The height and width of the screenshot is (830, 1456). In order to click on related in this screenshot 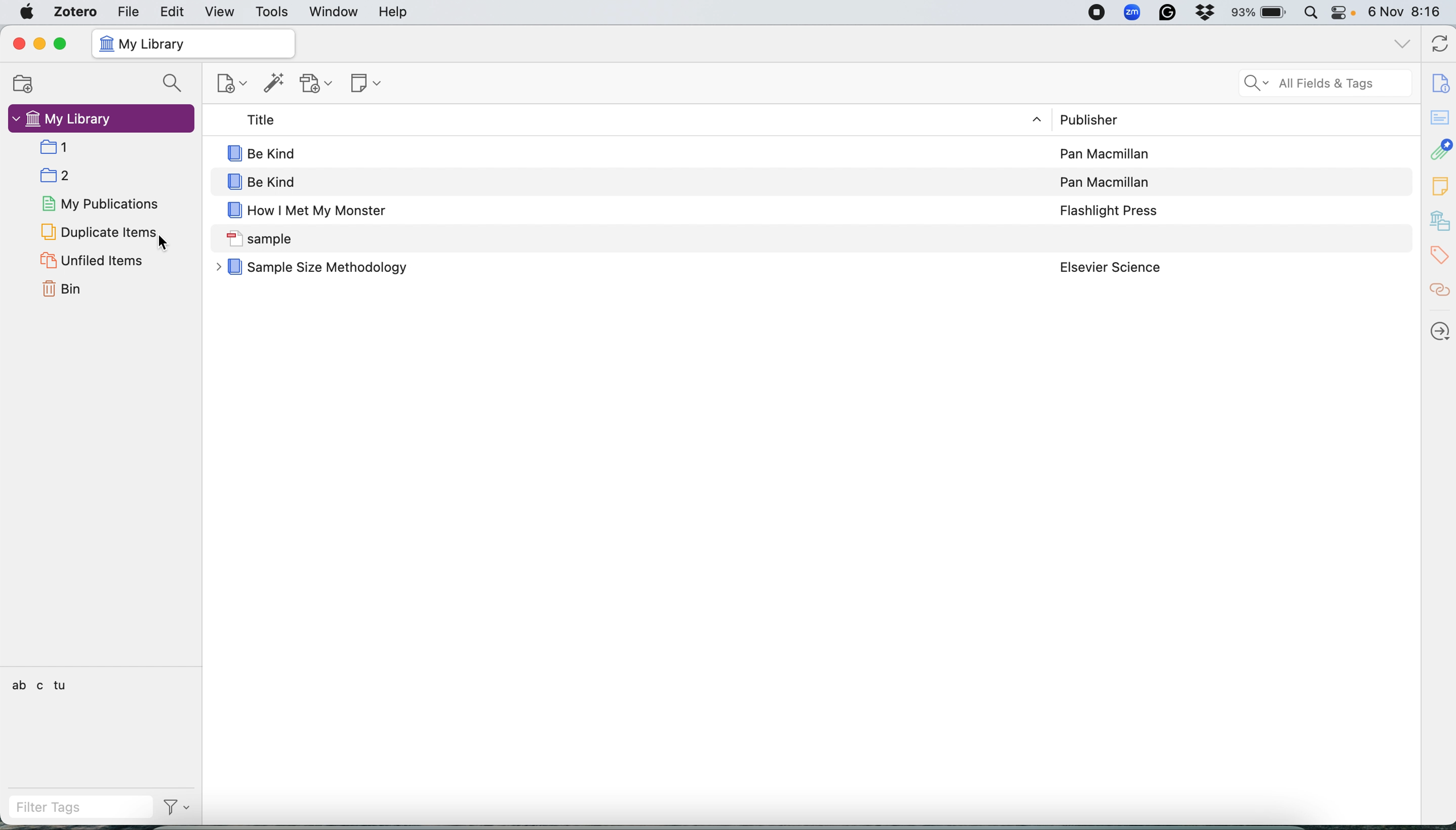, I will do `click(1439, 291)`.